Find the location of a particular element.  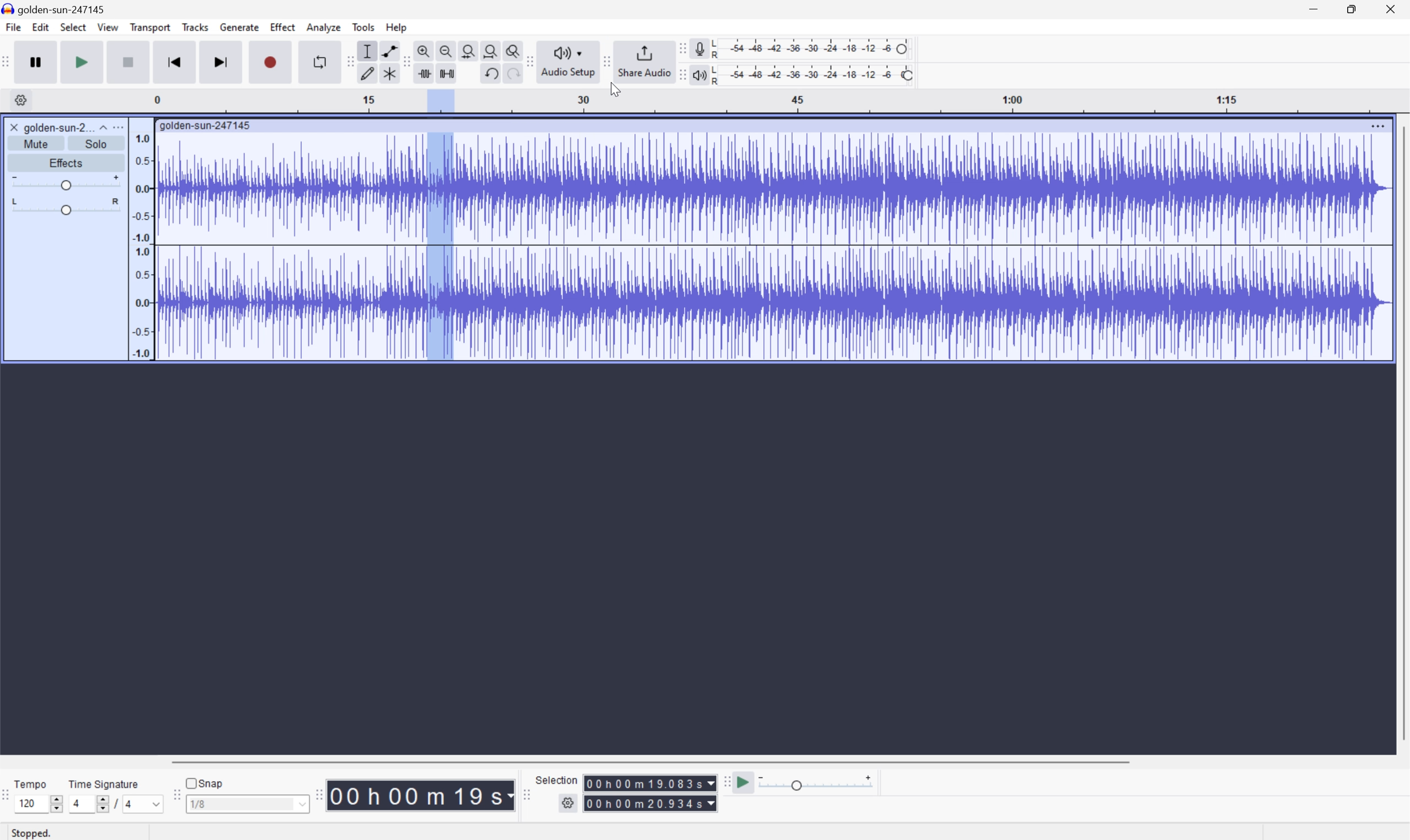

Skip to end is located at coordinates (222, 62).